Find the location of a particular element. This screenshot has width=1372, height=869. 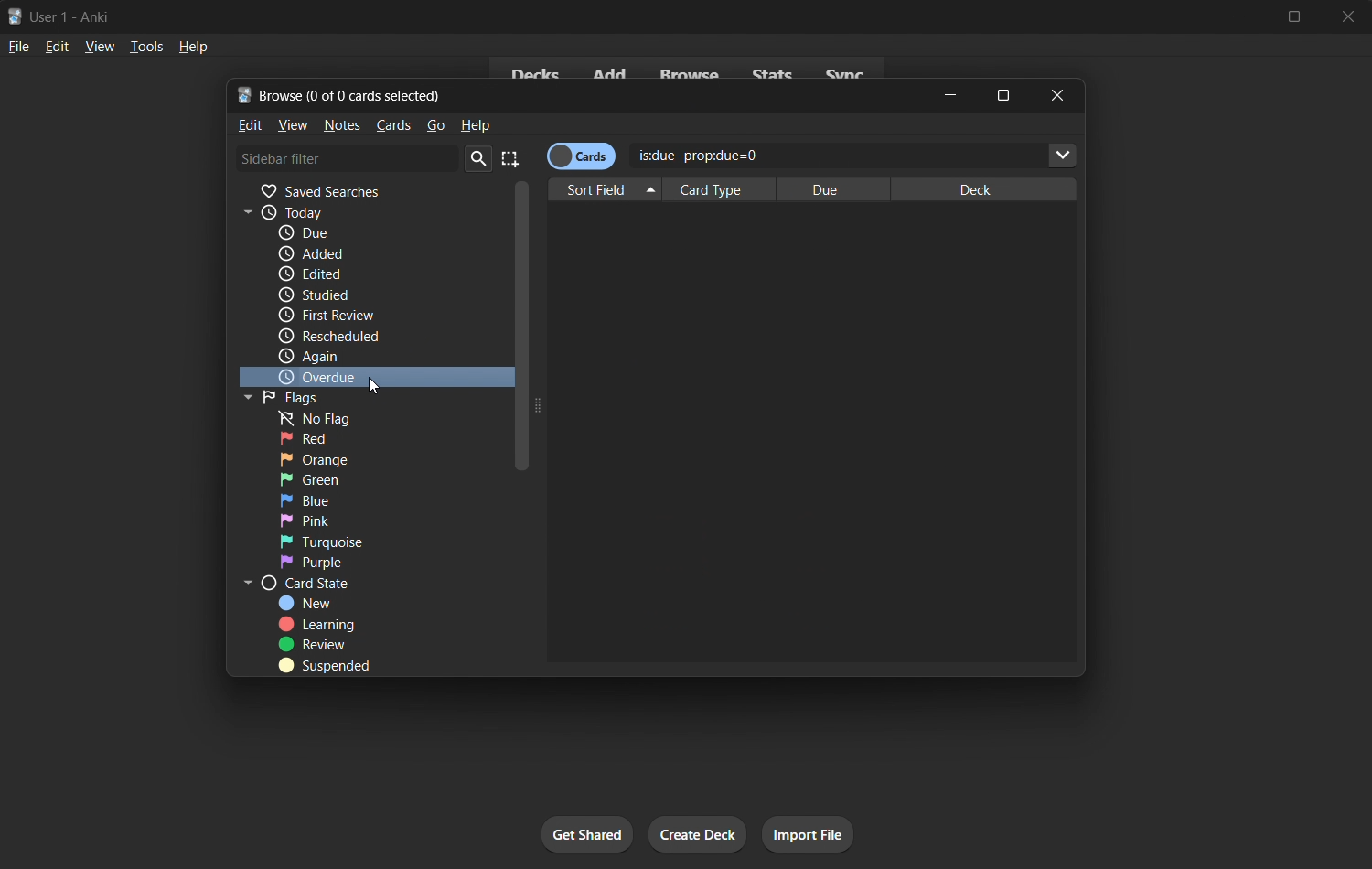

get shared is located at coordinates (587, 834).